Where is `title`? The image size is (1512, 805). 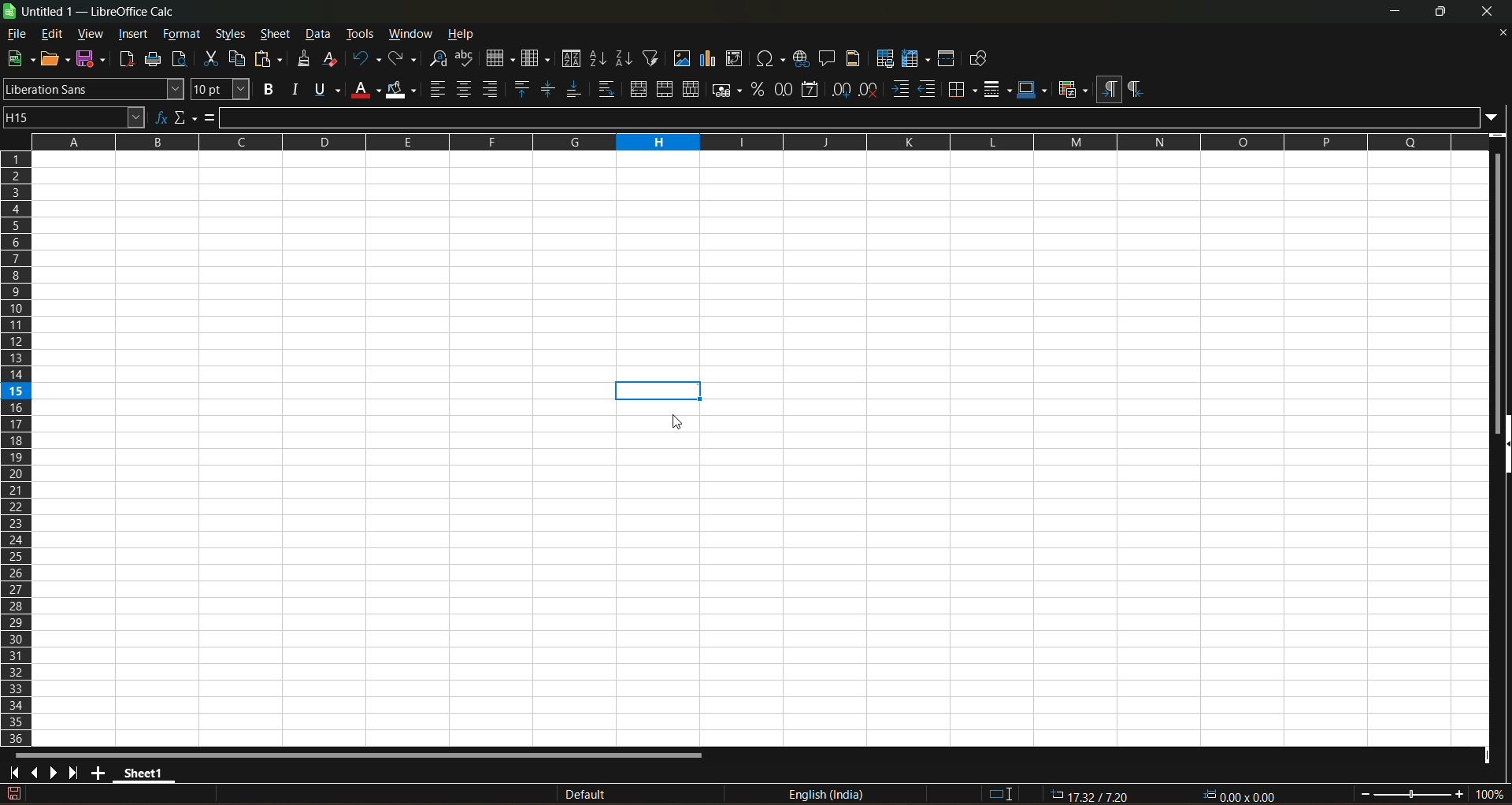
title is located at coordinates (98, 12).